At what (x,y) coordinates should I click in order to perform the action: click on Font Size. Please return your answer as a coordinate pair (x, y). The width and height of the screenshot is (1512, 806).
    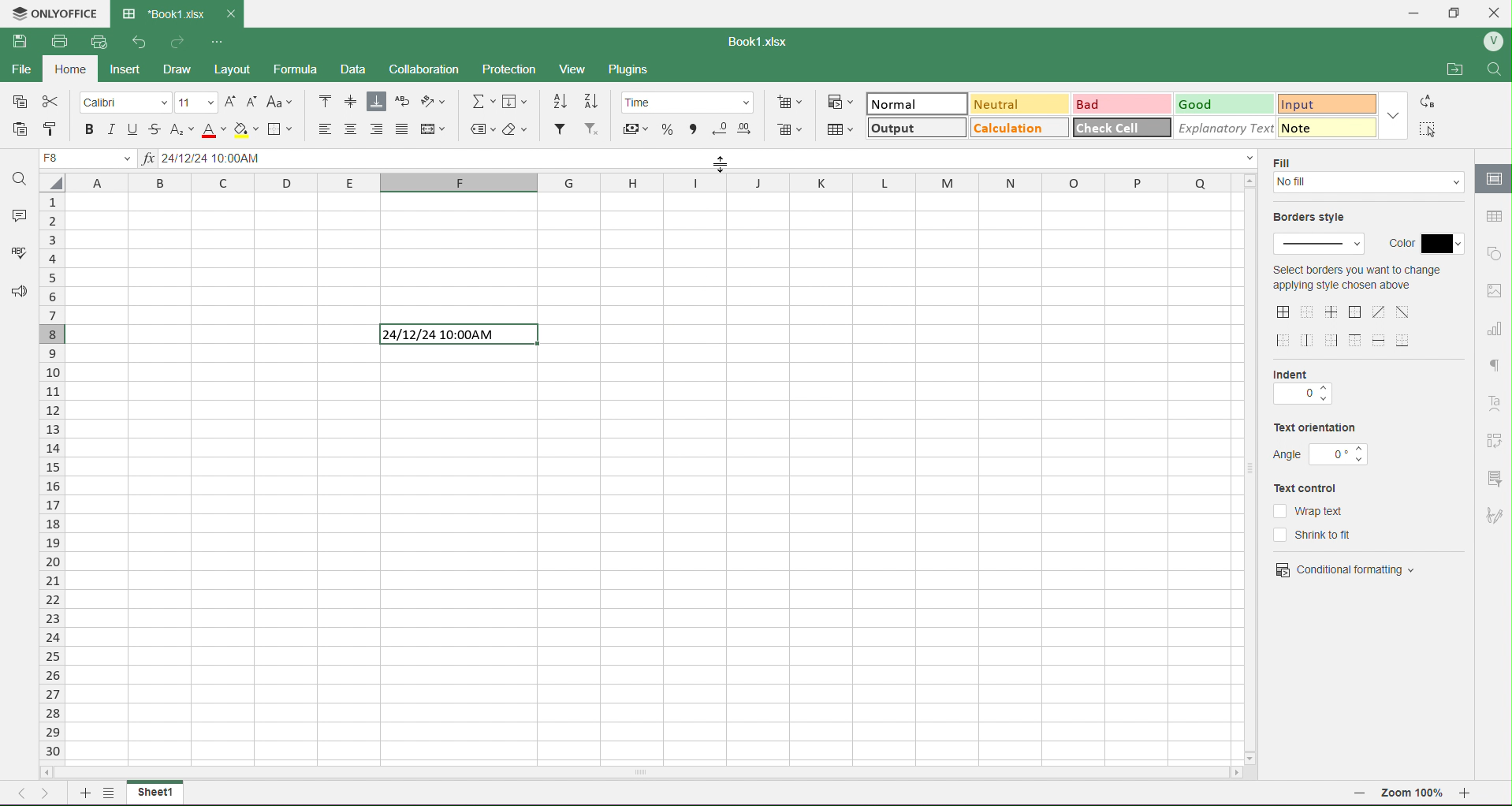
    Looking at the image, I should click on (196, 101).